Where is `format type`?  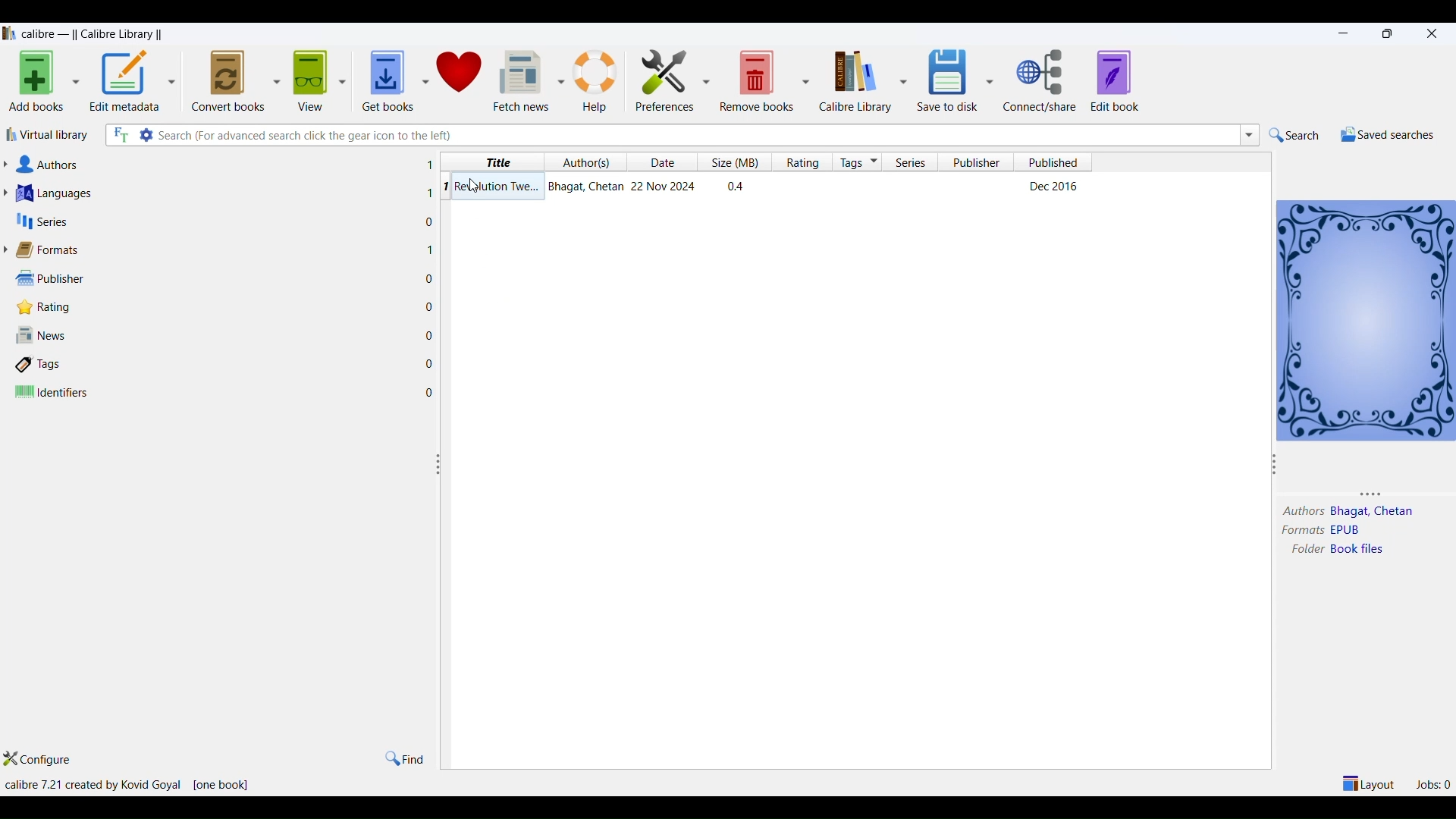 format type is located at coordinates (1349, 530).